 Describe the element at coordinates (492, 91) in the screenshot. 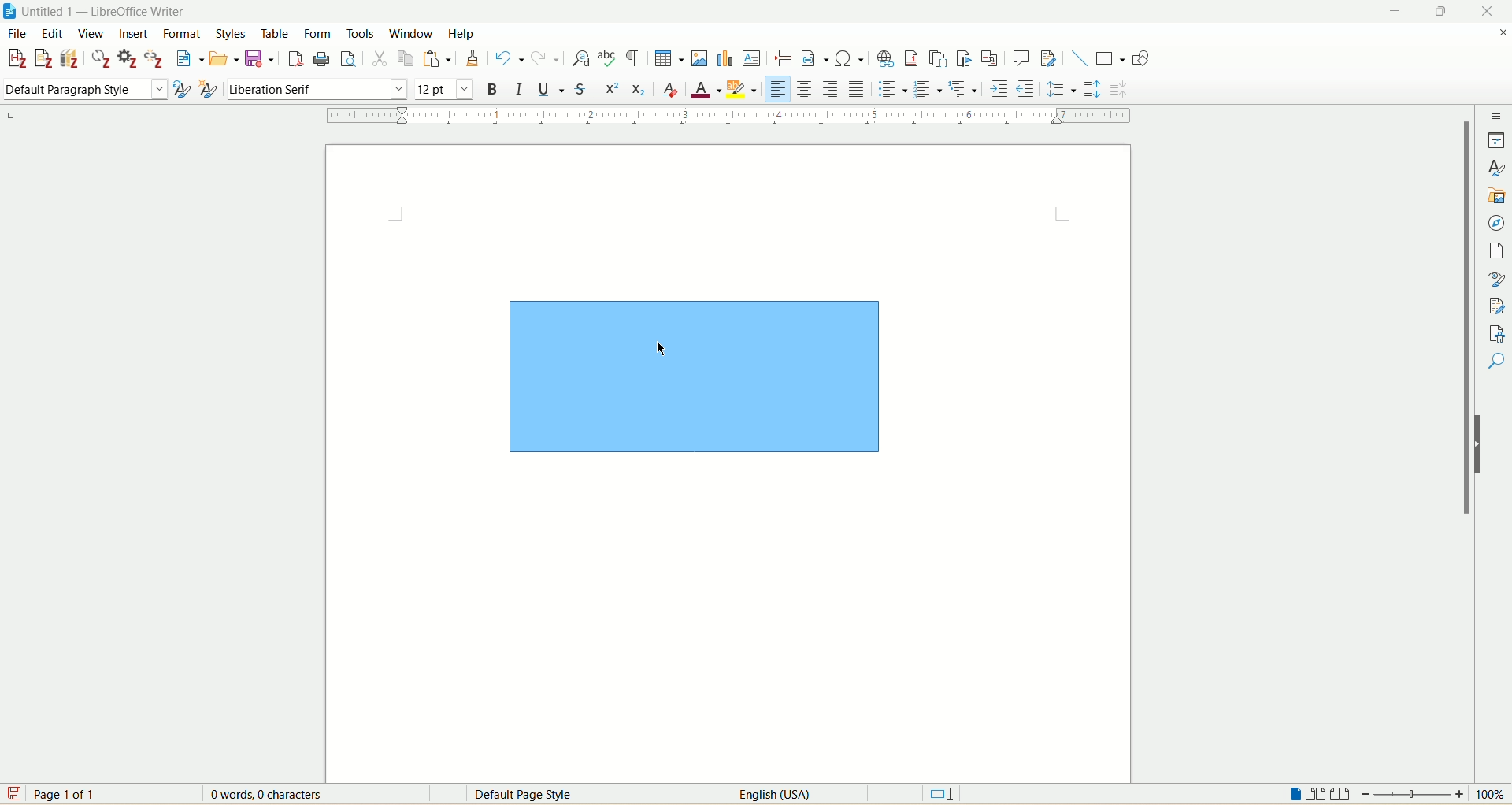

I see `bold` at that location.